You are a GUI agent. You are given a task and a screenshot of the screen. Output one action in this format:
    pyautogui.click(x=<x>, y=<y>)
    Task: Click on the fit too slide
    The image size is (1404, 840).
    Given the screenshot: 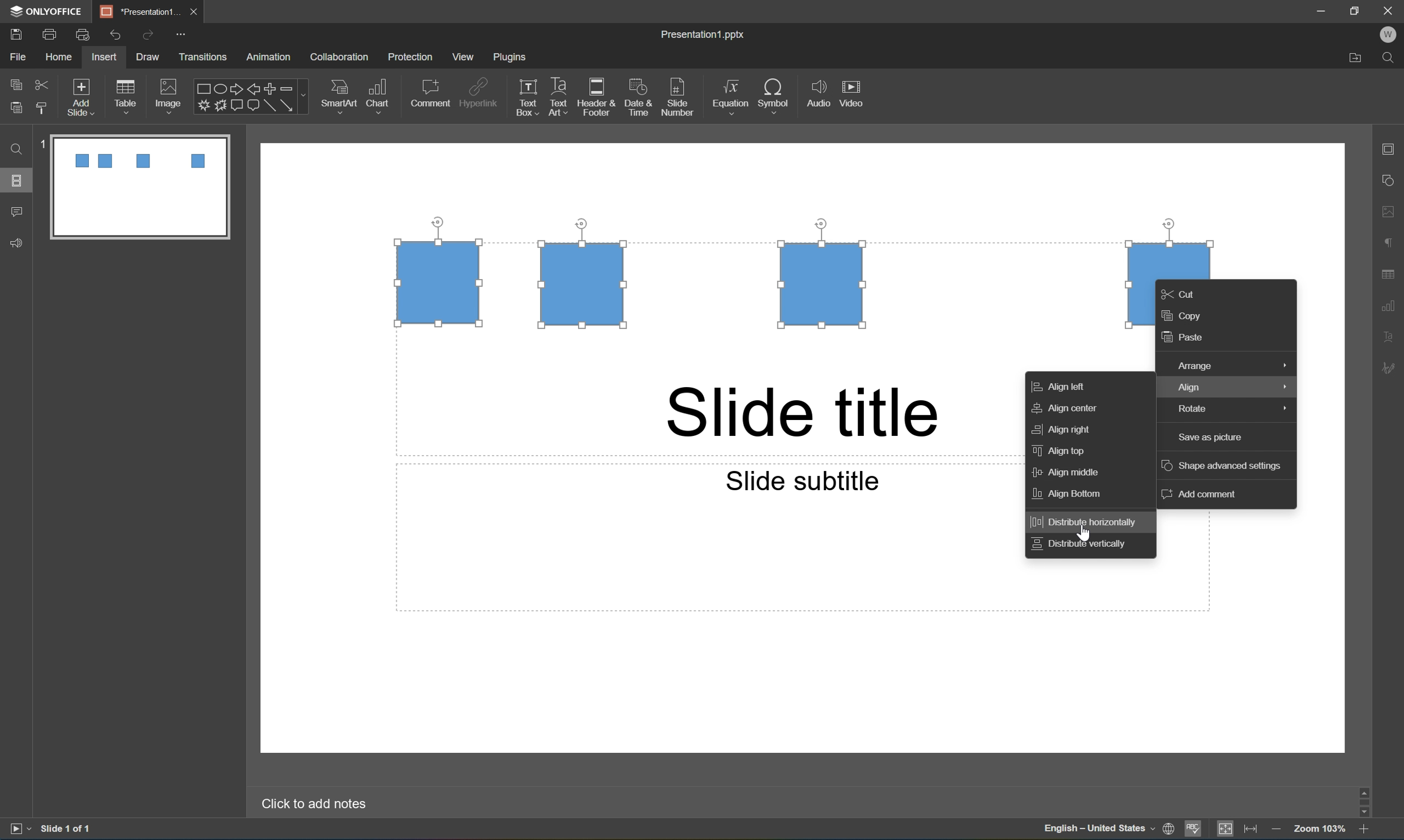 What is the action you would take?
    pyautogui.click(x=1226, y=830)
    